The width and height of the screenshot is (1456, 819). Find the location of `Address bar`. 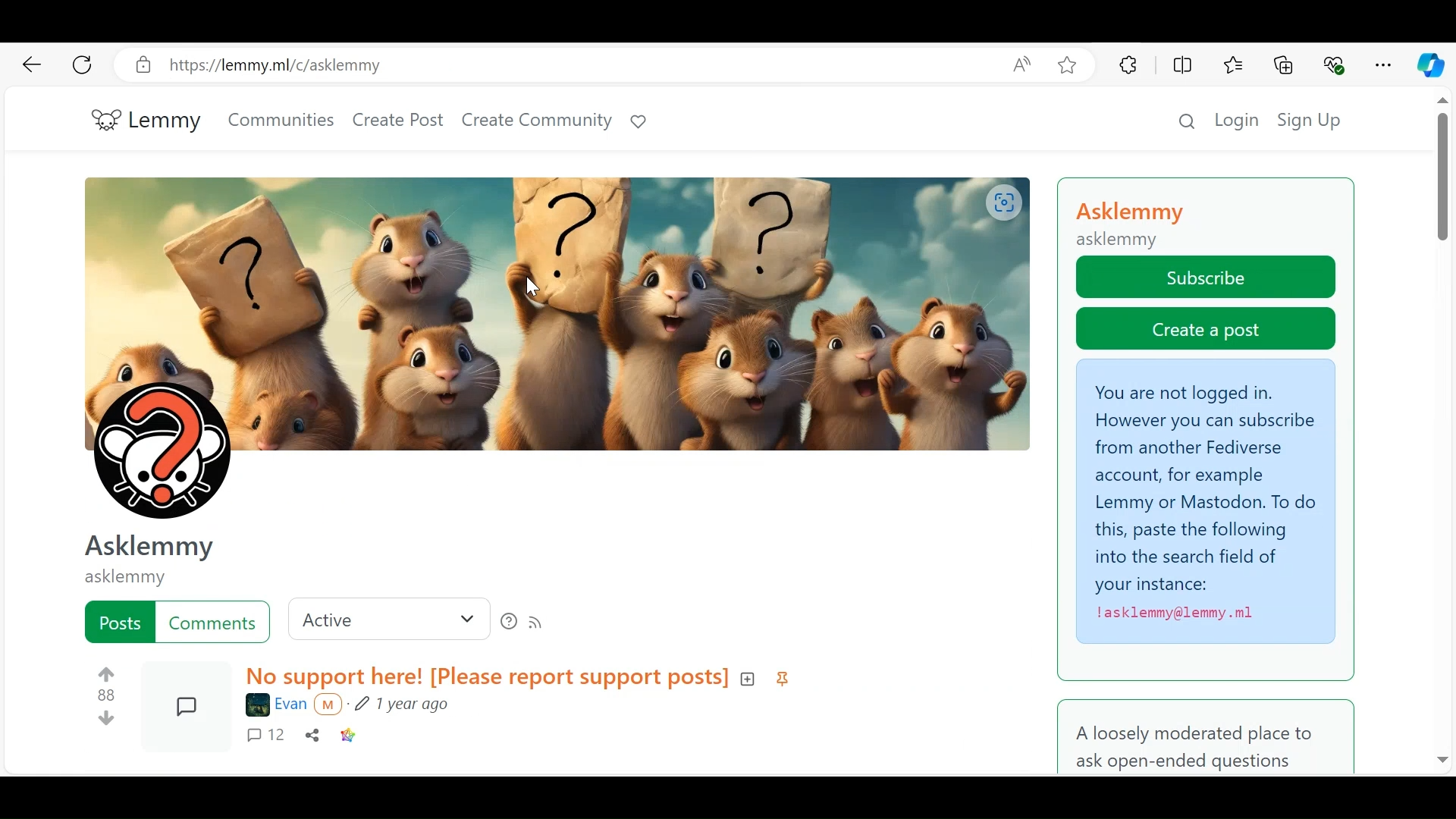

Address bar is located at coordinates (586, 65).